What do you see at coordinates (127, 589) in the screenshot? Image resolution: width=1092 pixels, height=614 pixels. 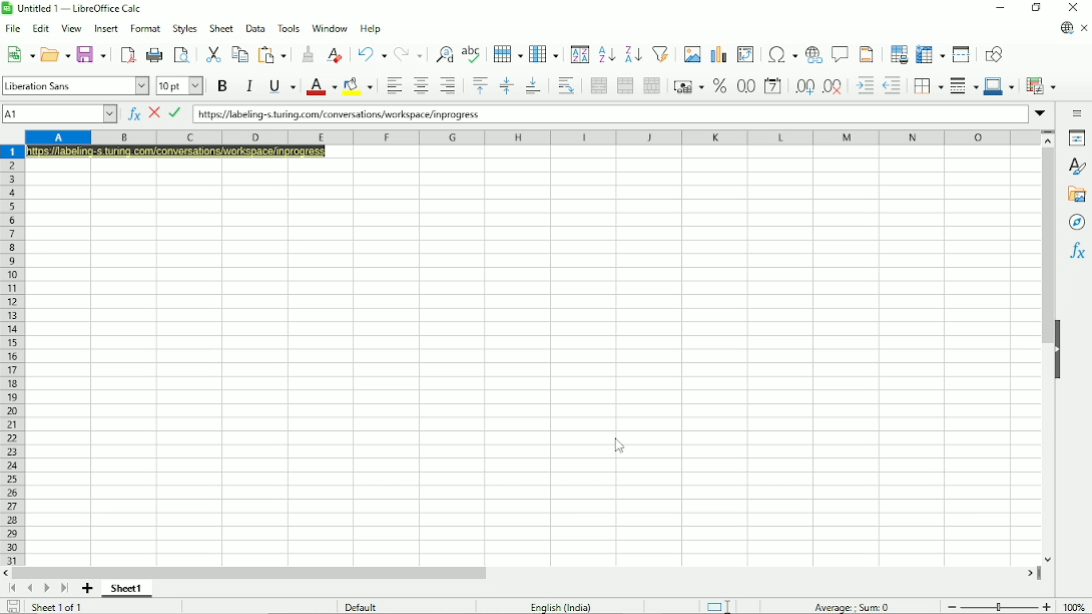 I see `Sheet1` at bounding box center [127, 589].